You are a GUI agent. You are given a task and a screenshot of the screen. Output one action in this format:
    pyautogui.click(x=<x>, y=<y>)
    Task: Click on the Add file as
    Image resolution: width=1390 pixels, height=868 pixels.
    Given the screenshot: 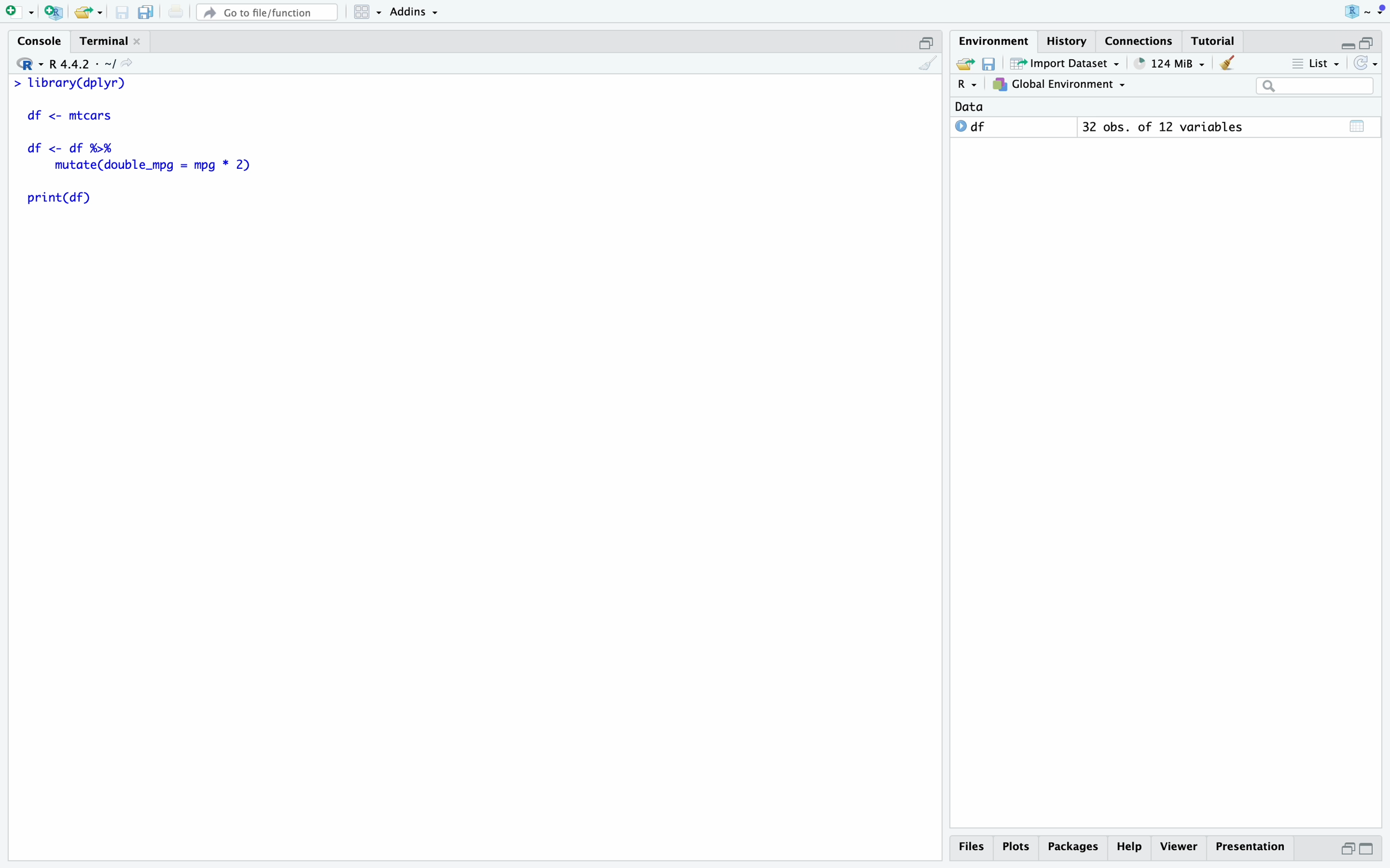 What is the action you would take?
    pyautogui.click(x=21, y=13)
    